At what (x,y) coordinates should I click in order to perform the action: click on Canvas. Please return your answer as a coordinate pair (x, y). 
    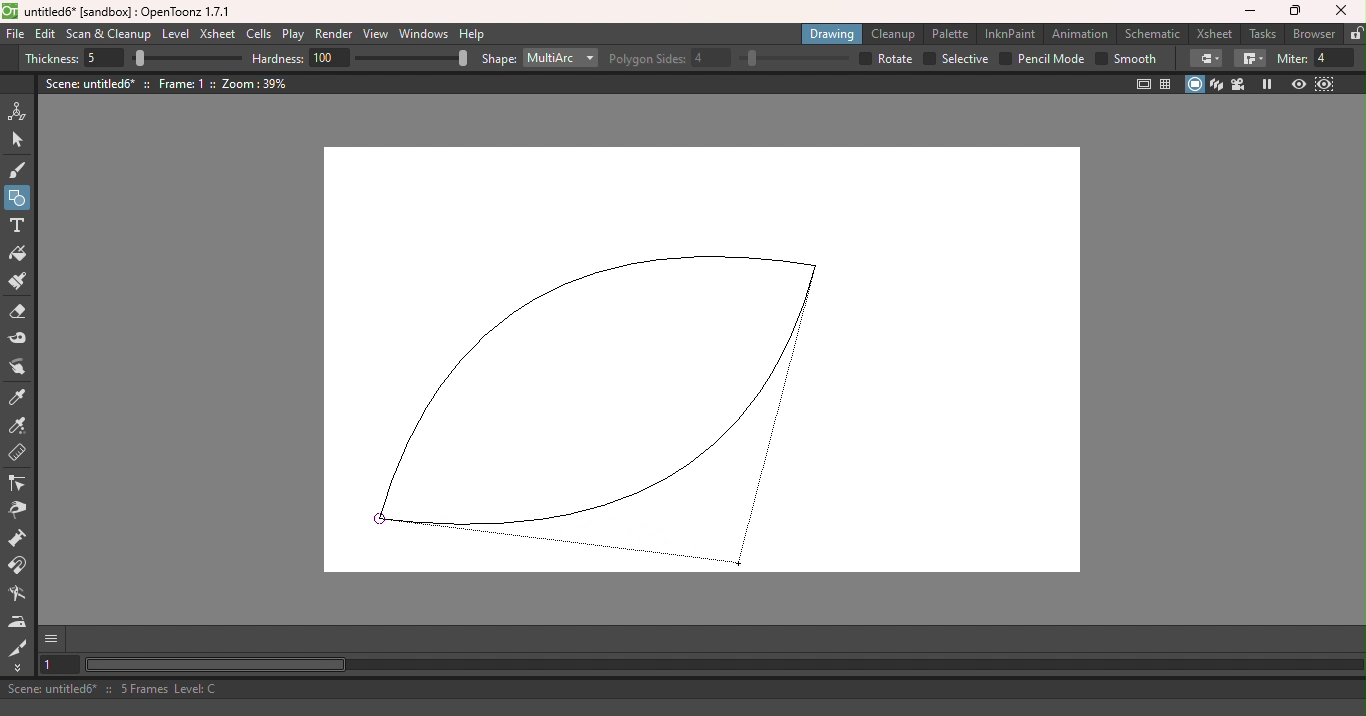
    Looking at the image, I should click on (703, 374).